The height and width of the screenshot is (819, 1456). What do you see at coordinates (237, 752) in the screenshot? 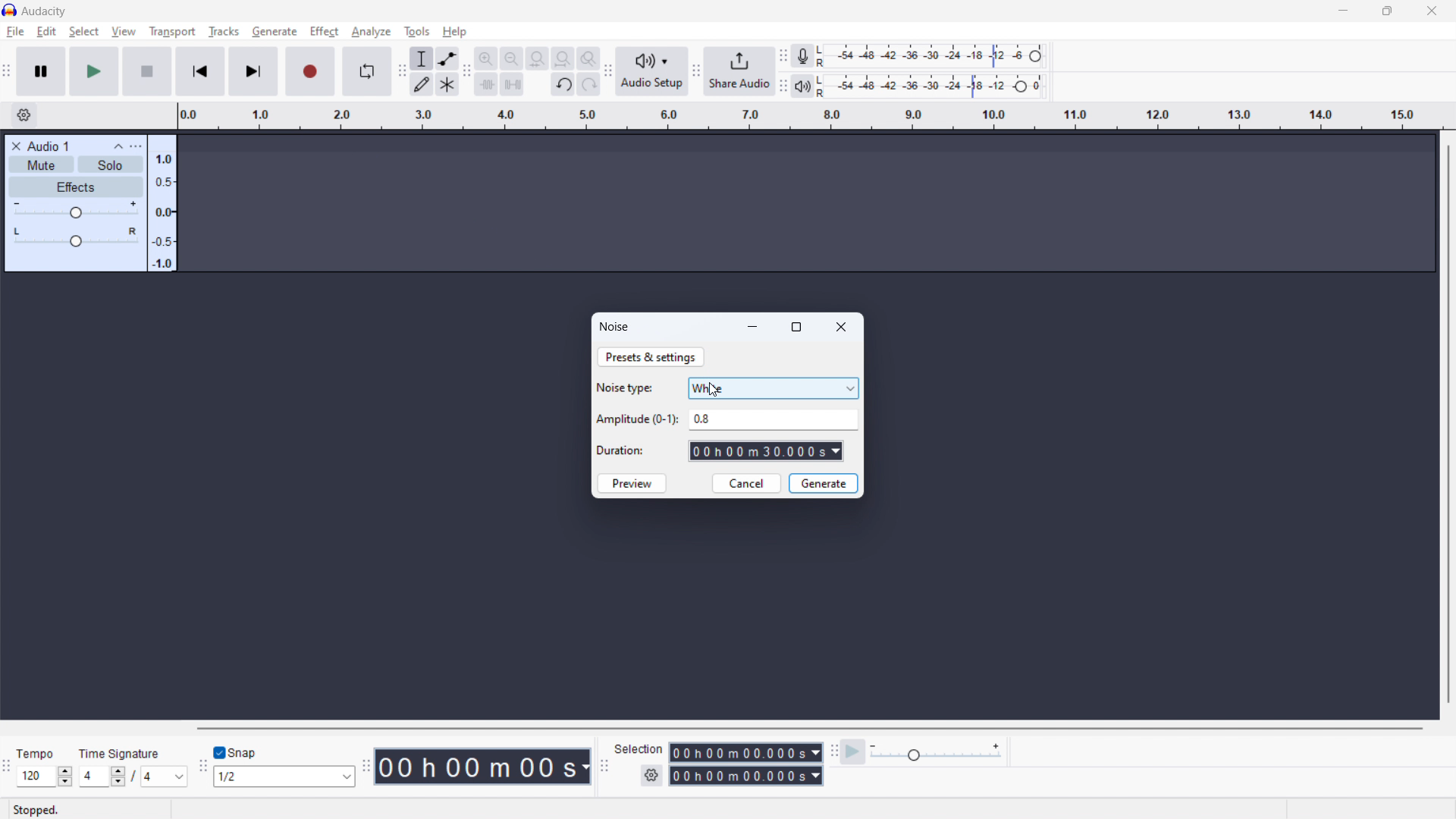
I see `toggle snap` at bounding box center [237, 752].